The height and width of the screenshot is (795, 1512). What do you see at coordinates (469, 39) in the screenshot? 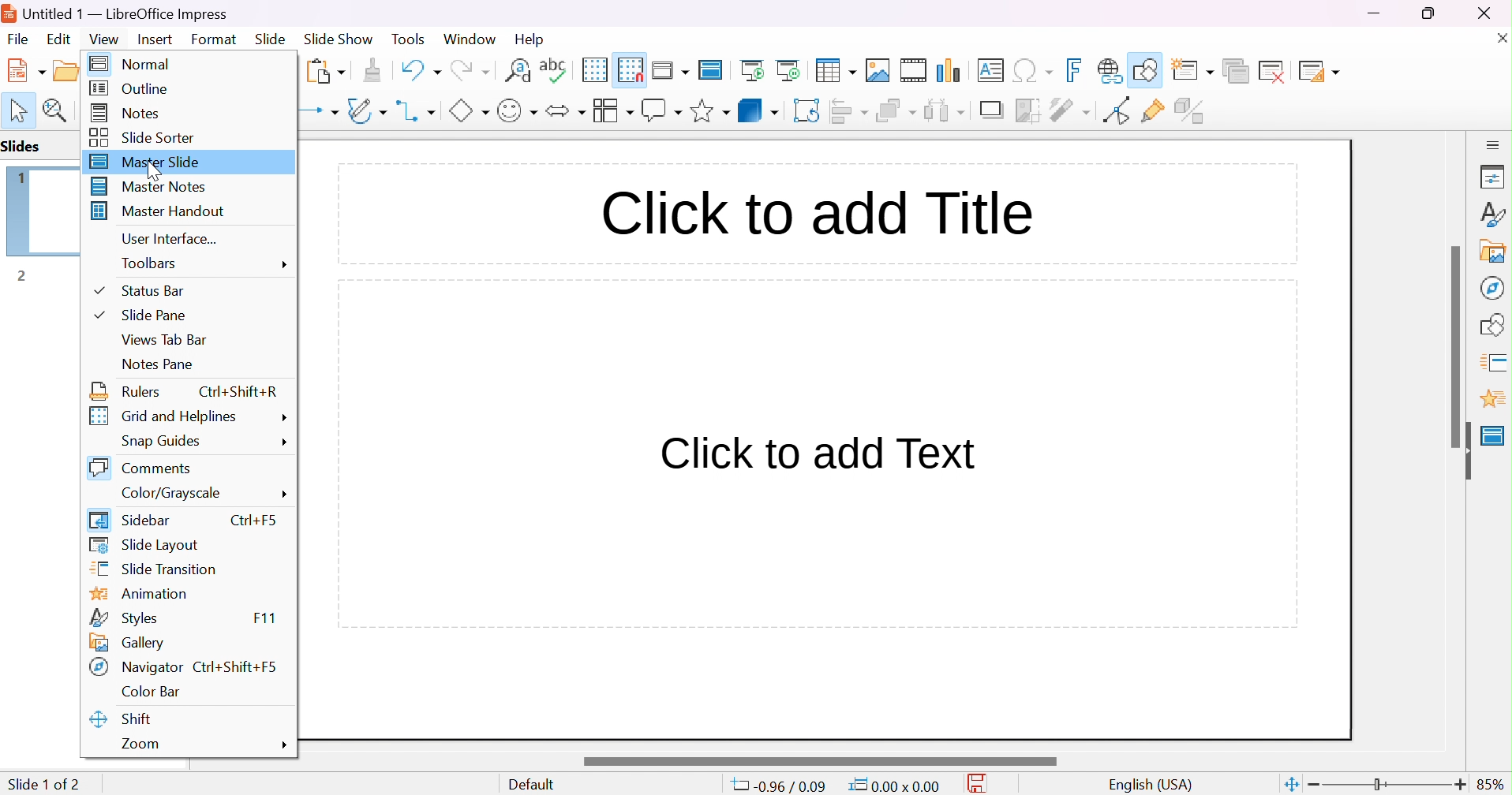
I see `window` at bounding box center [469, 39].